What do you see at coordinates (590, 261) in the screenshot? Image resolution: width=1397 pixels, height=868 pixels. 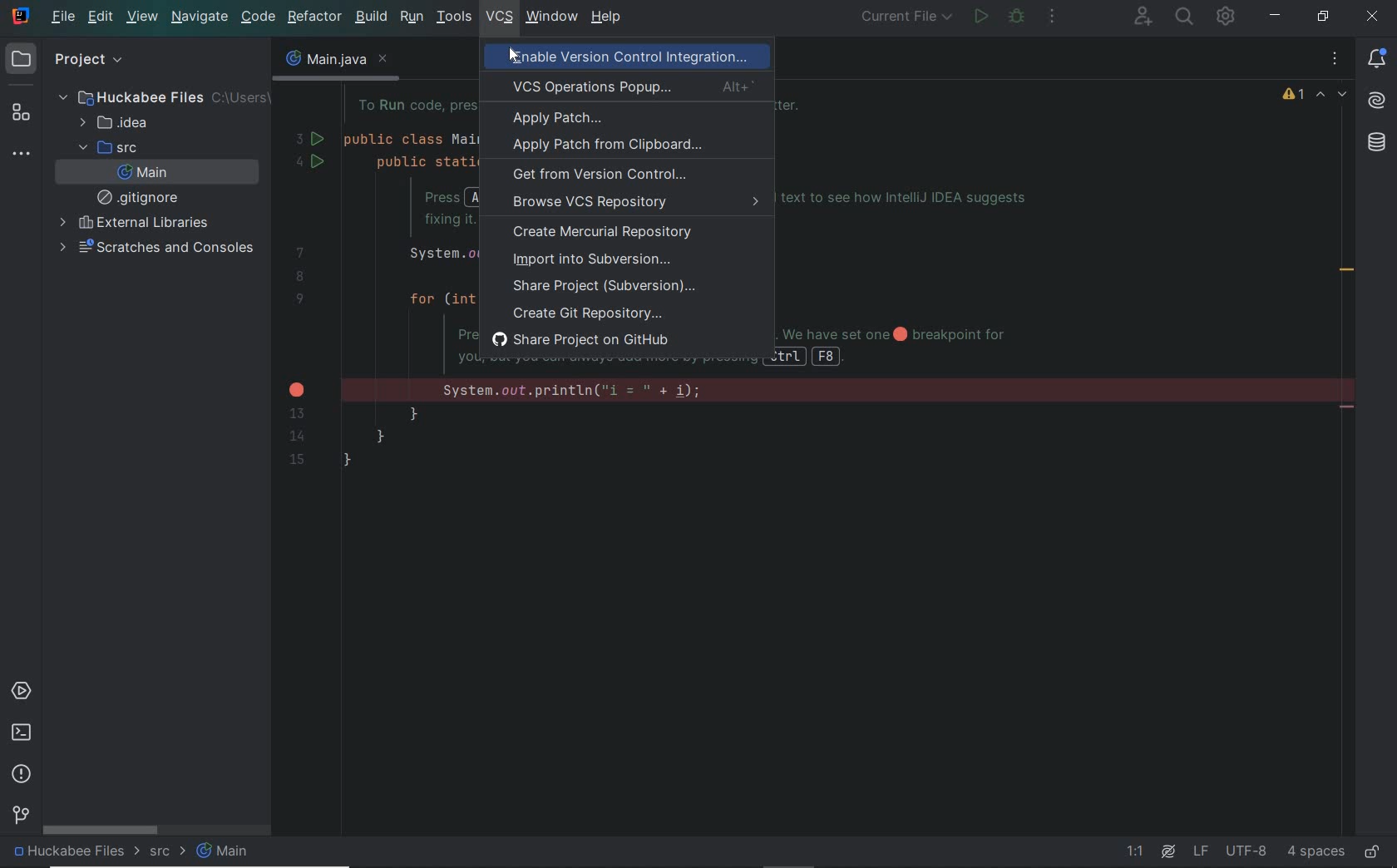 I see `import into subversion` at bounding box center [590, 261].